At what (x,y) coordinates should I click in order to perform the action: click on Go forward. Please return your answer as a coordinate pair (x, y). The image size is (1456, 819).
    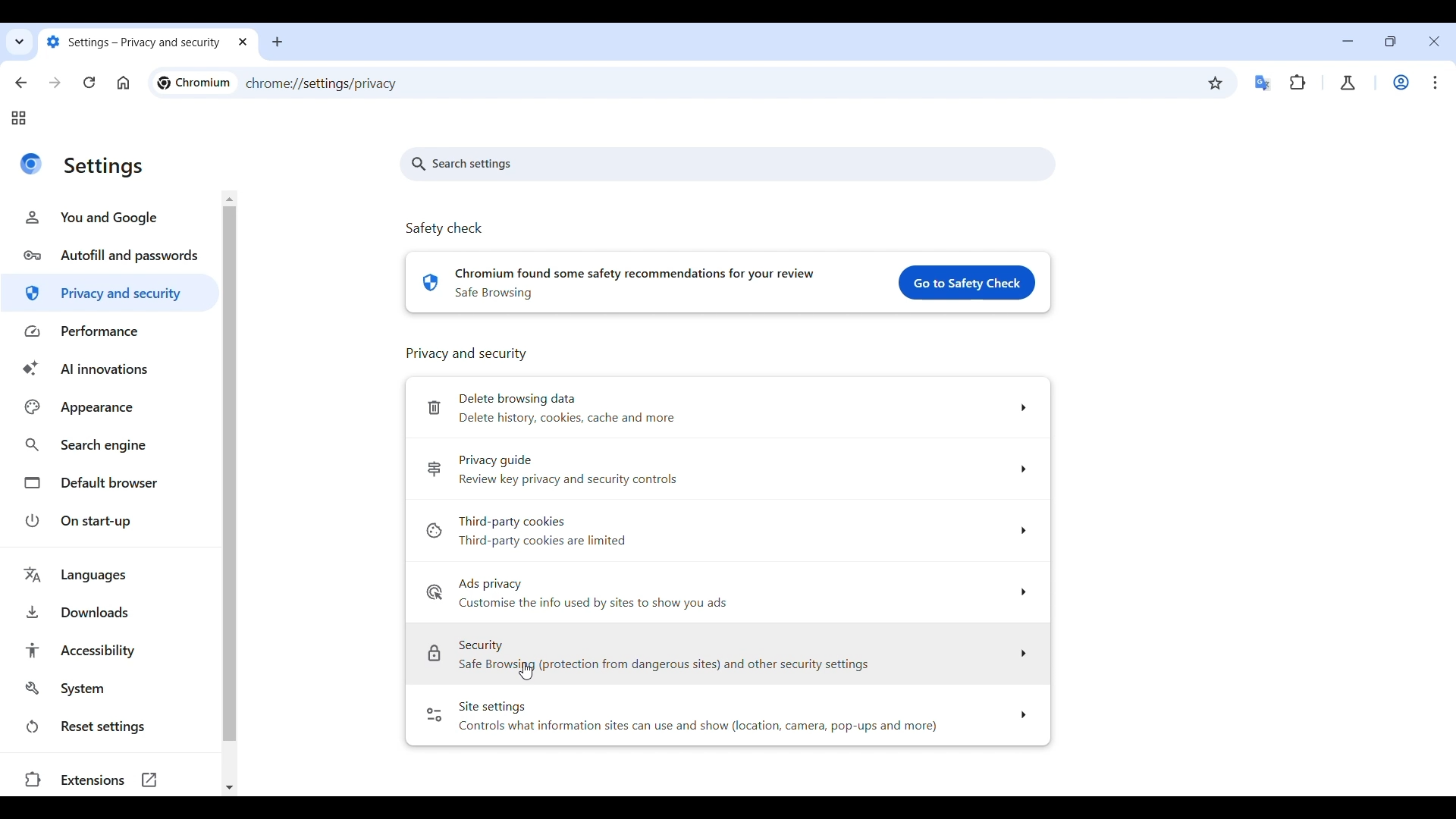
    Looking at the image, I should click on (55, 83).